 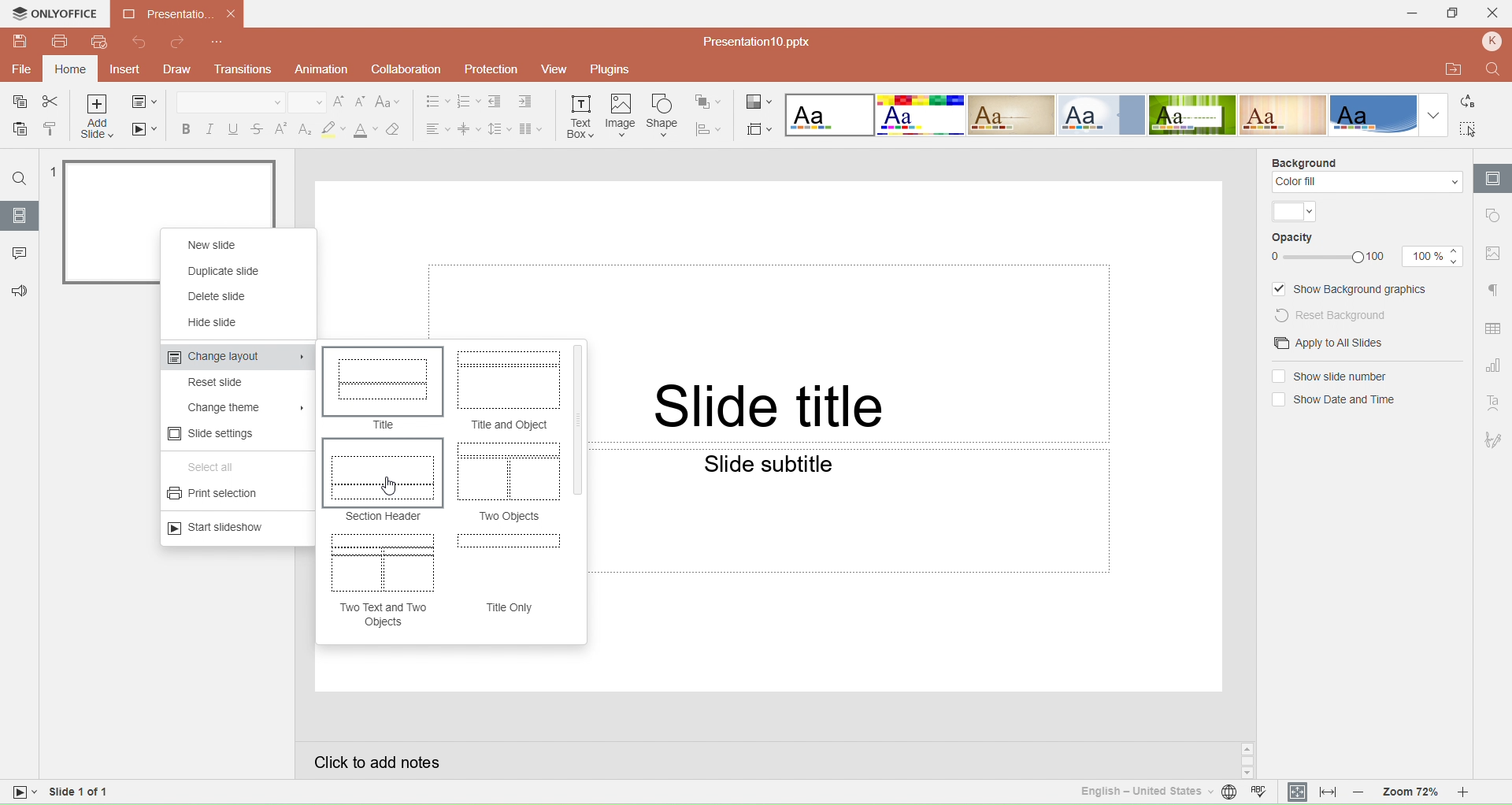 I want to click on Feedback & Support, so click(x=17, y=291).